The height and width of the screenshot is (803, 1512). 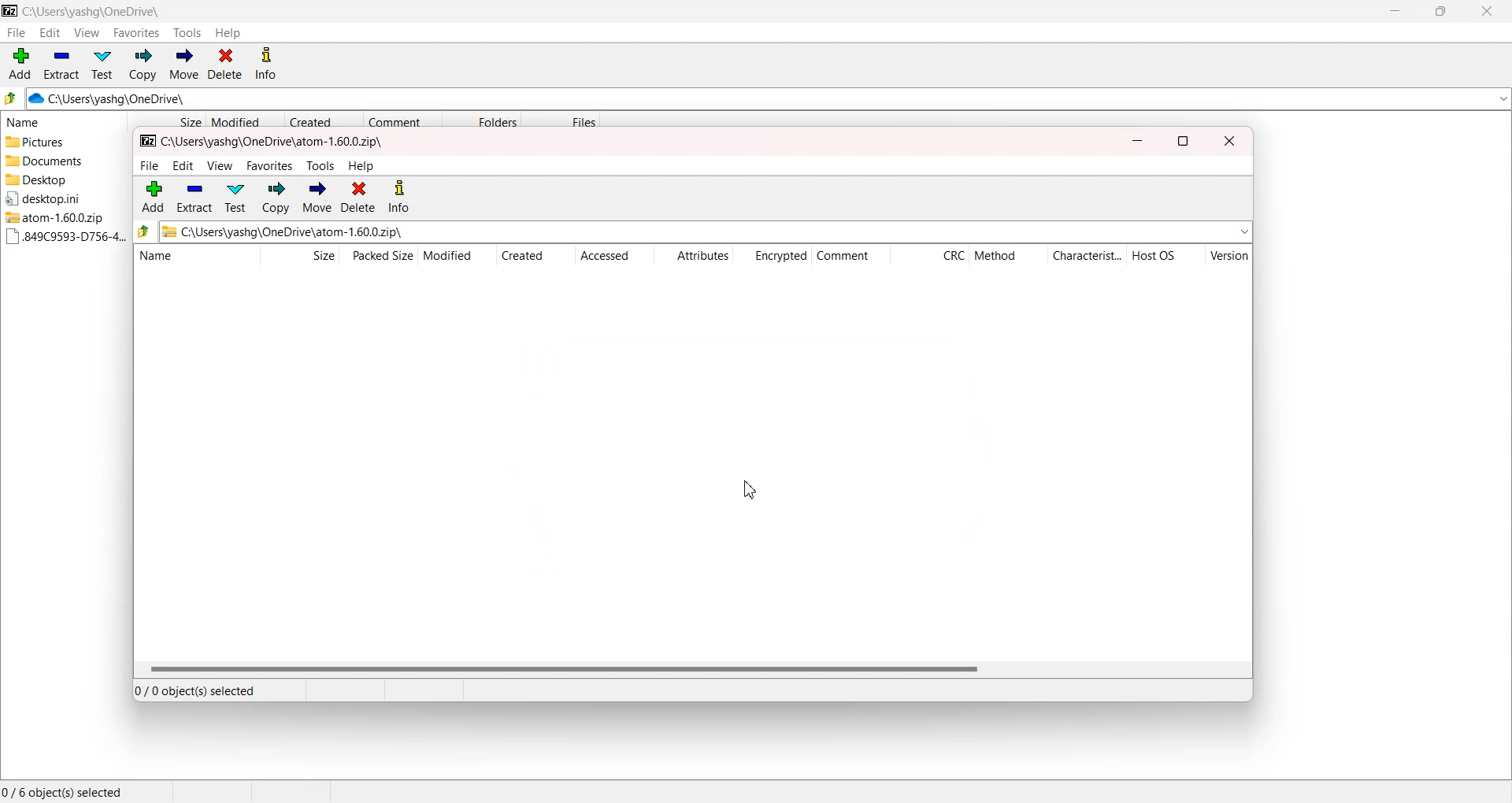 What do you see at coordinates (130, 99) in the screenshot?
I see `C:\Users\yashg\OneDrive\` at bounding box center [130, 99].